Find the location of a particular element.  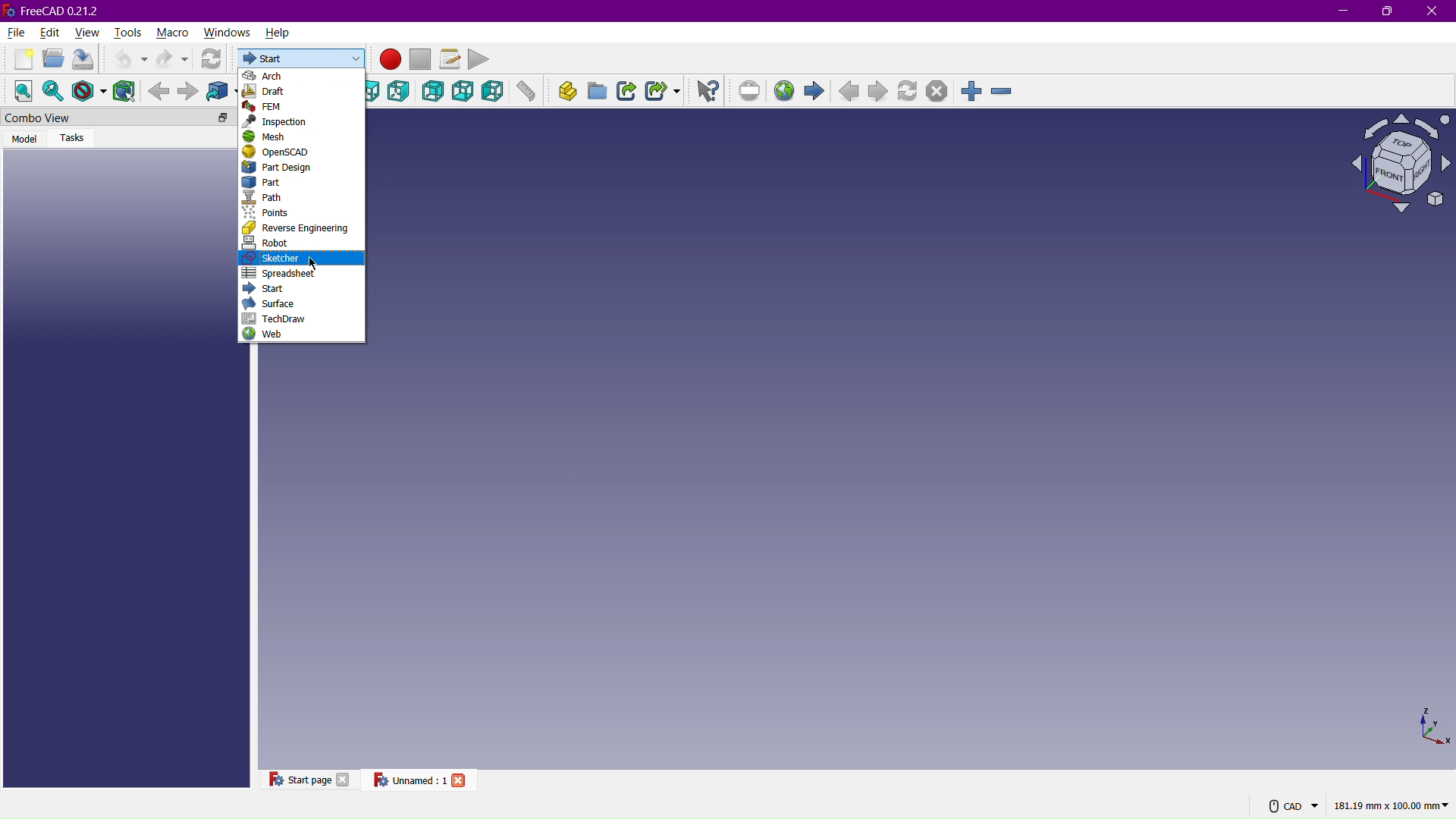

Cursor at Sketcher is located at coordinates (313, 263).